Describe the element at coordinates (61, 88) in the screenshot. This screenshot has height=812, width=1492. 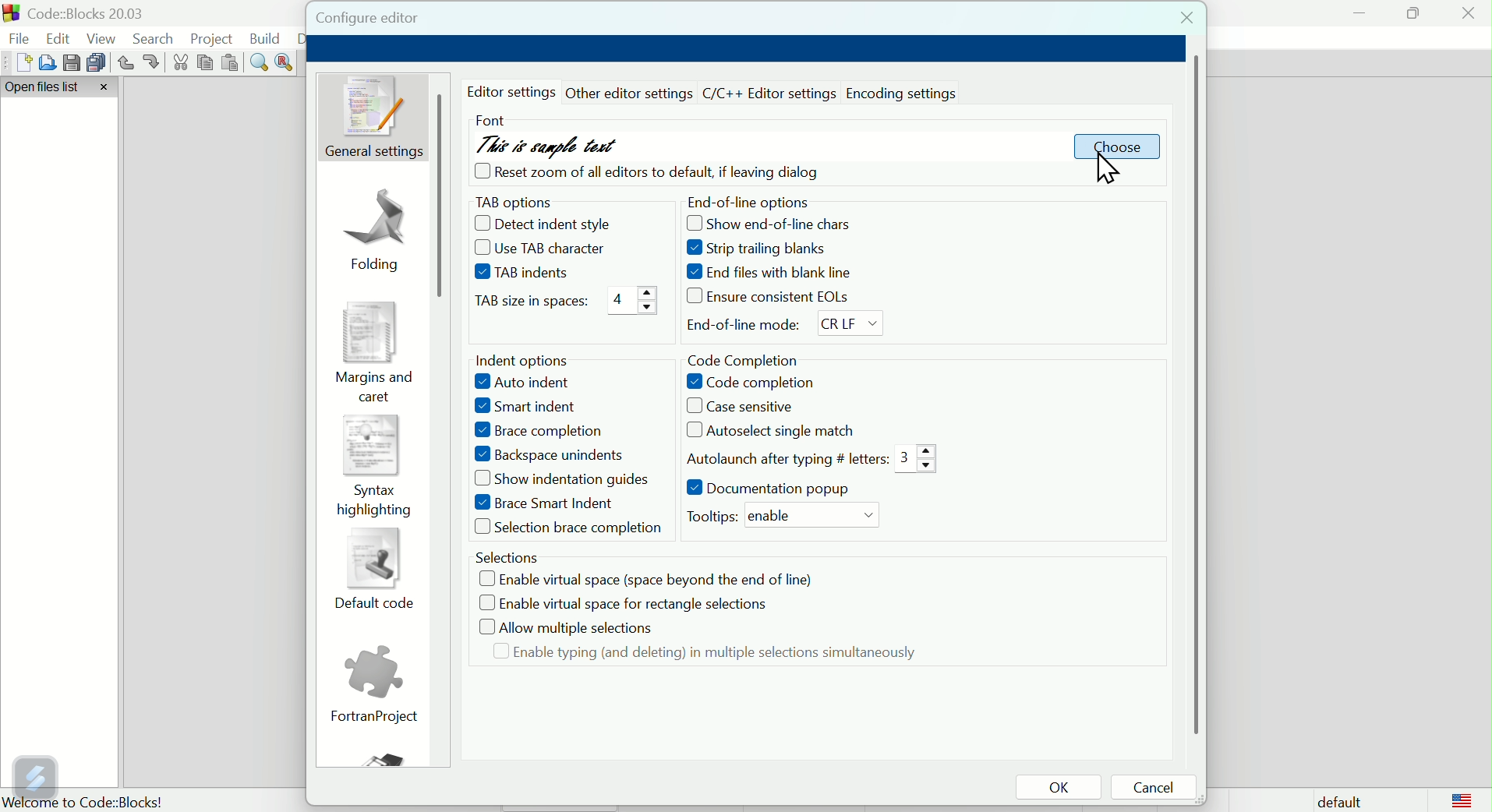
I see `Open file list` at that location.